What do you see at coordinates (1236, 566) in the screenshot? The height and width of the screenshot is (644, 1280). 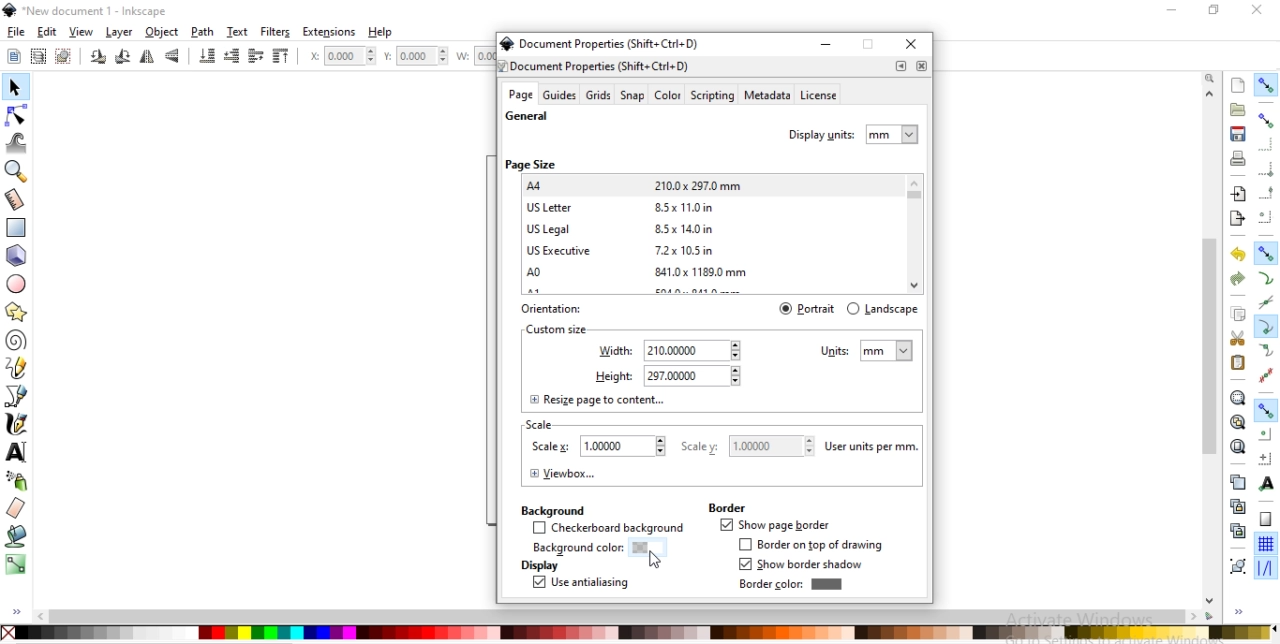 I see `group objects` at bounding box center [1236, 566].